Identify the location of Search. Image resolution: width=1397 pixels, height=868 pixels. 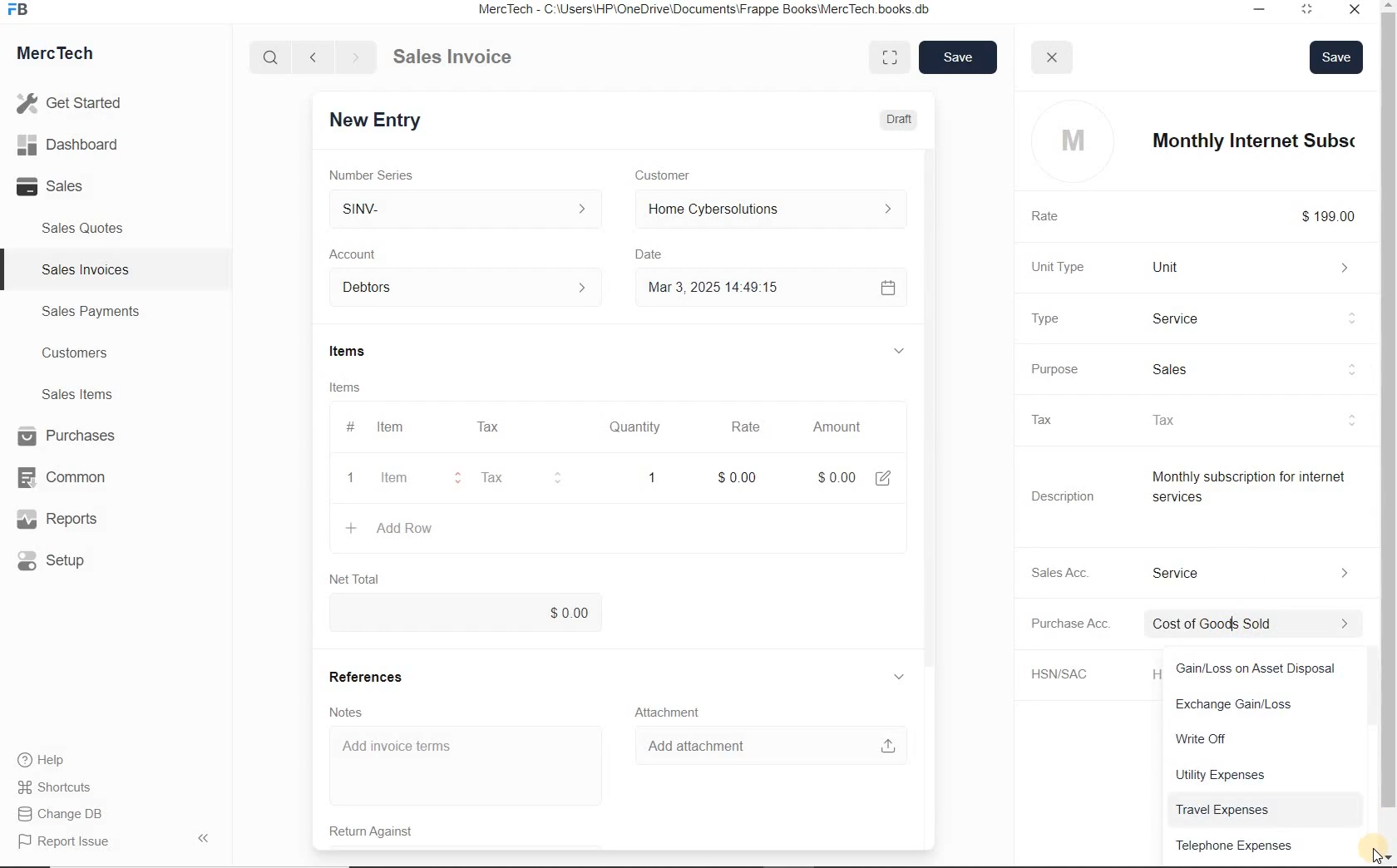
(272, 57).